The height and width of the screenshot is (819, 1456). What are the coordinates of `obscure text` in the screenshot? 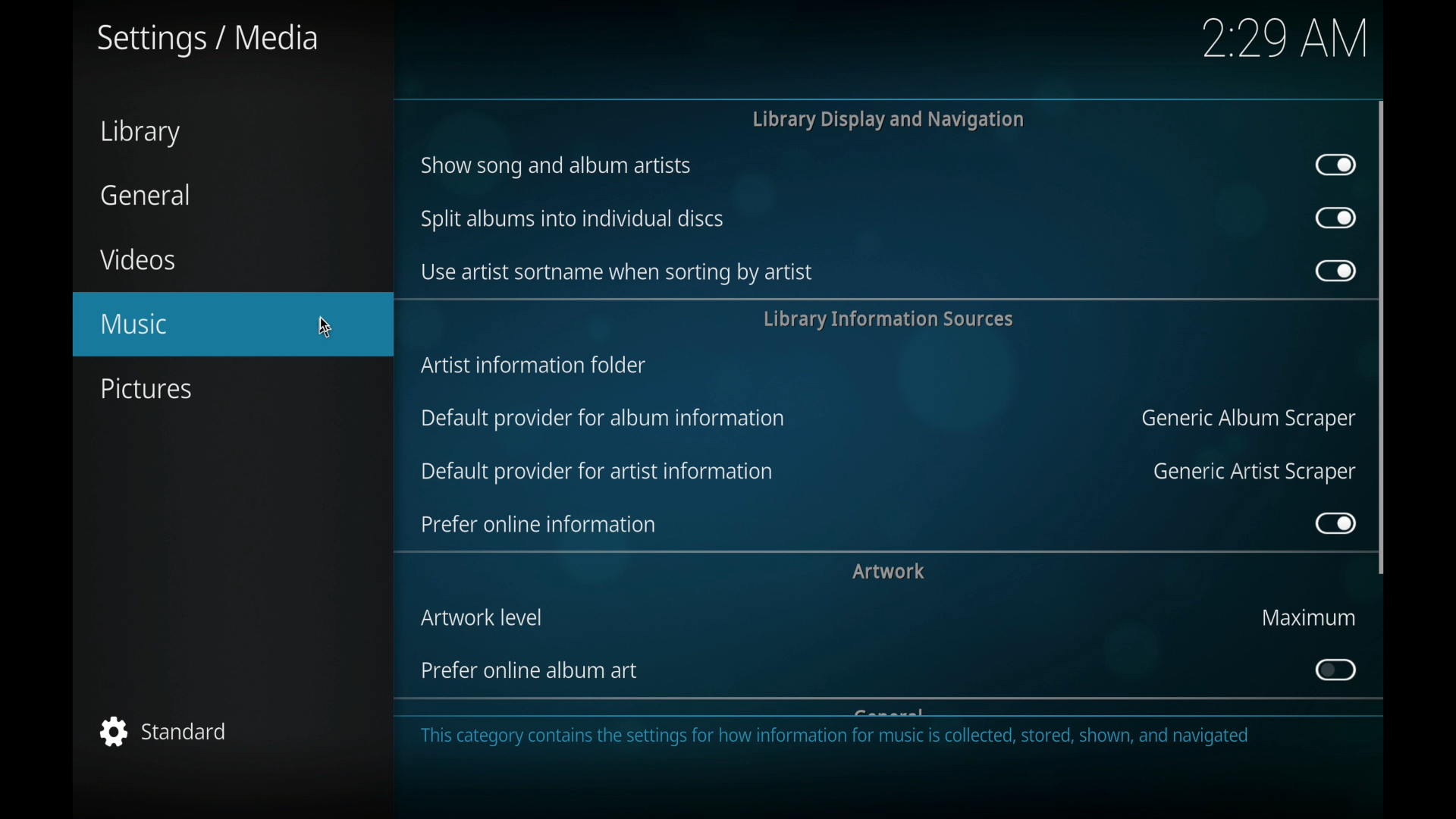 It's located at (889, 712).